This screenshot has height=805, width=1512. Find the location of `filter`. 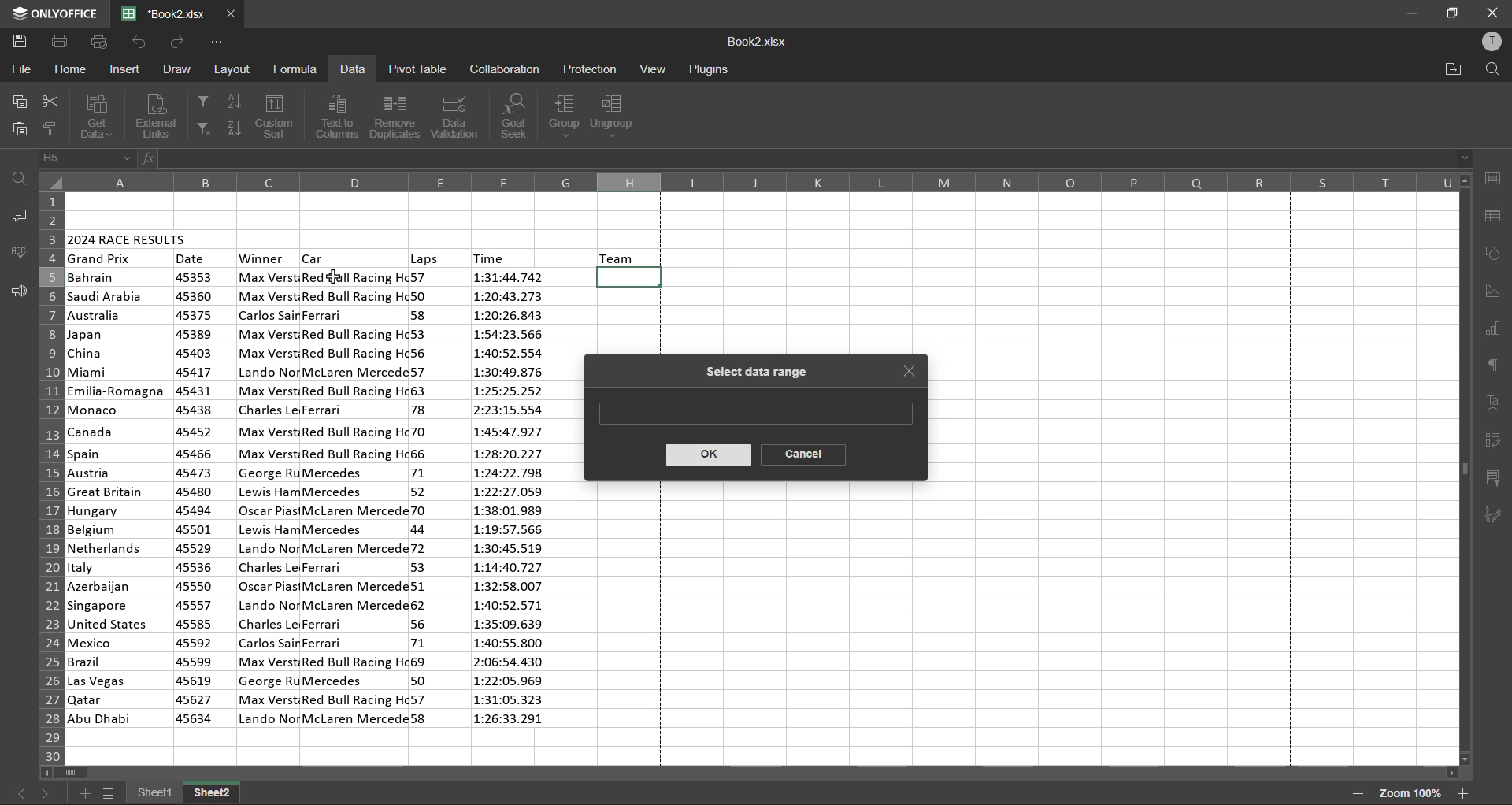

filter is located at coordinates (202, 99).